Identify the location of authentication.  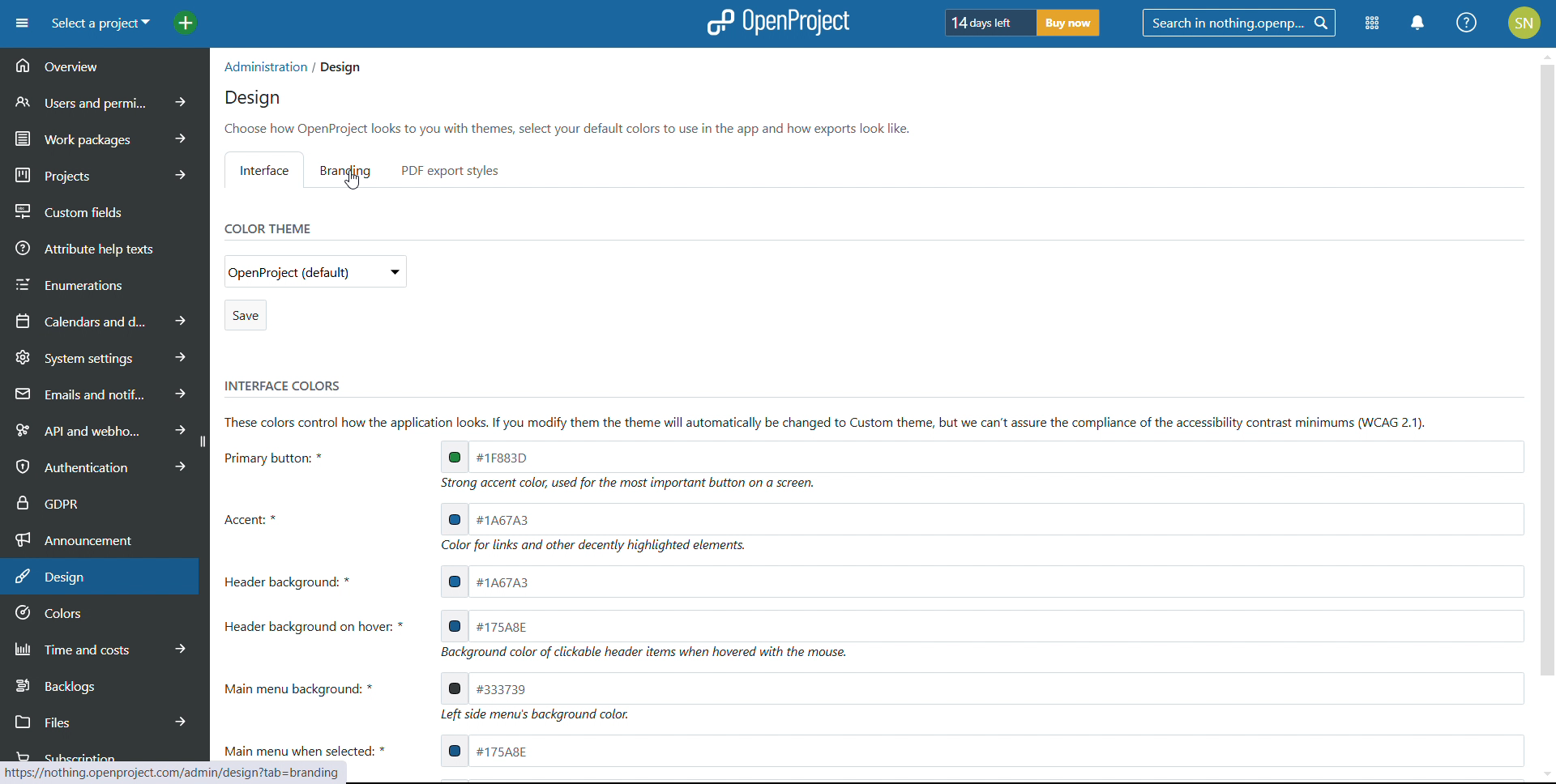
(96, 467).